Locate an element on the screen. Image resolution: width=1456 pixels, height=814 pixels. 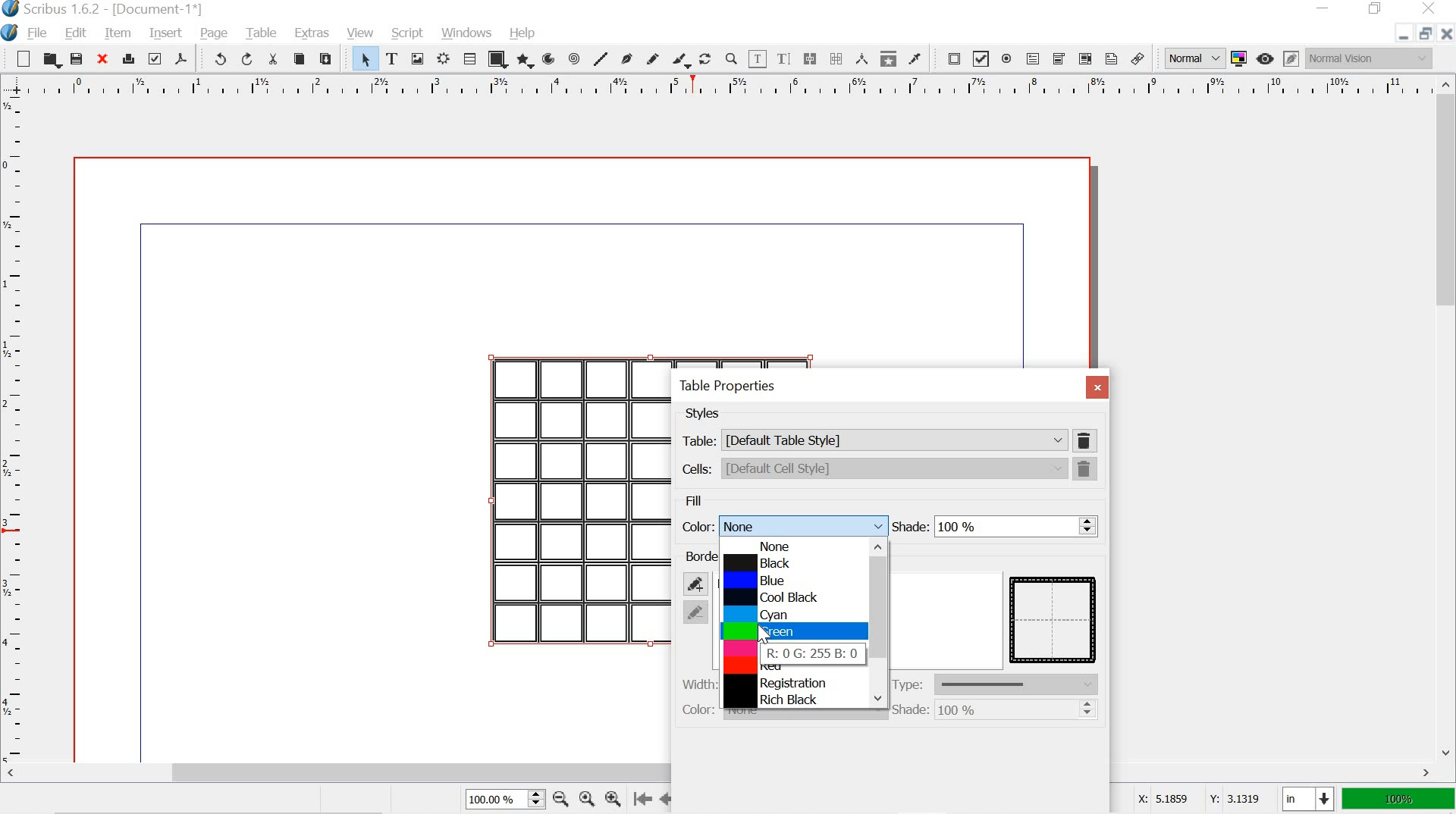
normal vision is located at coordinates (1370, 58).